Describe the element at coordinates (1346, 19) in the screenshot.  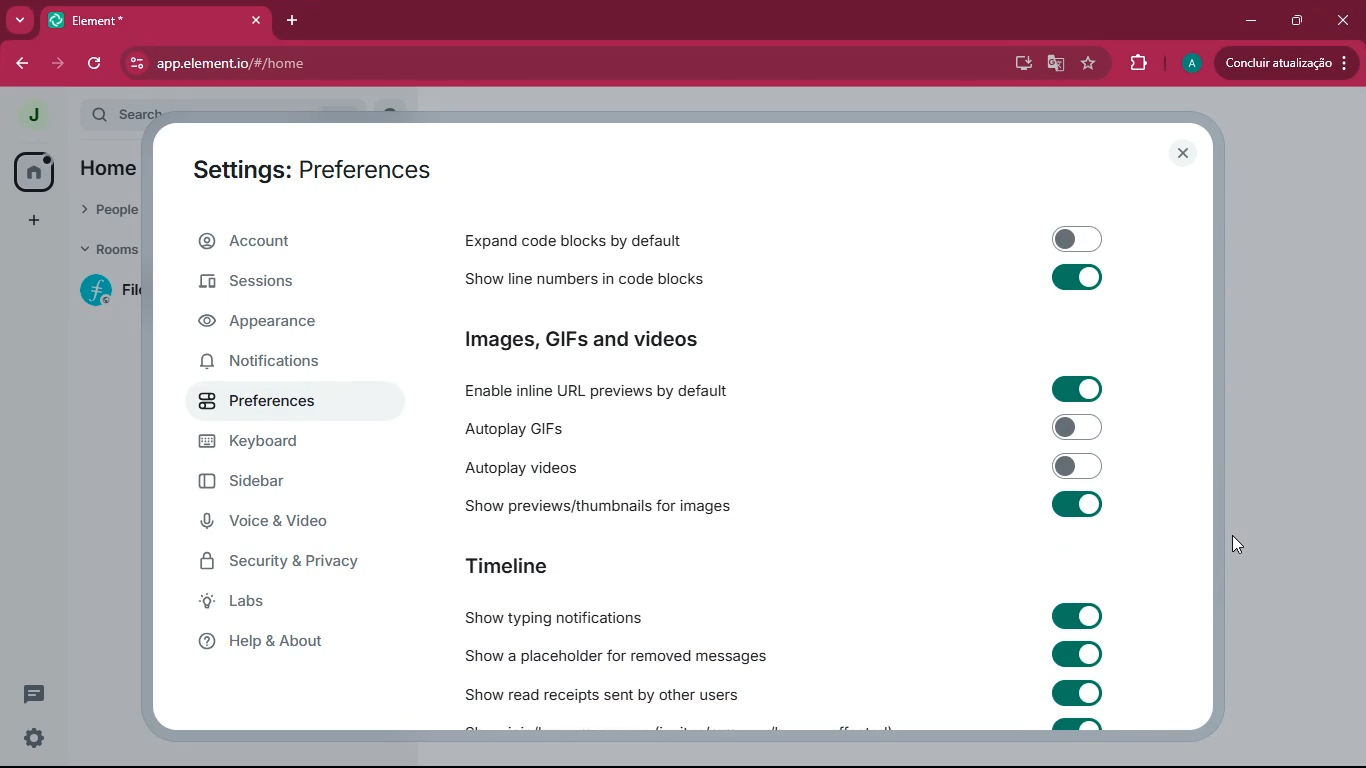
I see `close` at that location.